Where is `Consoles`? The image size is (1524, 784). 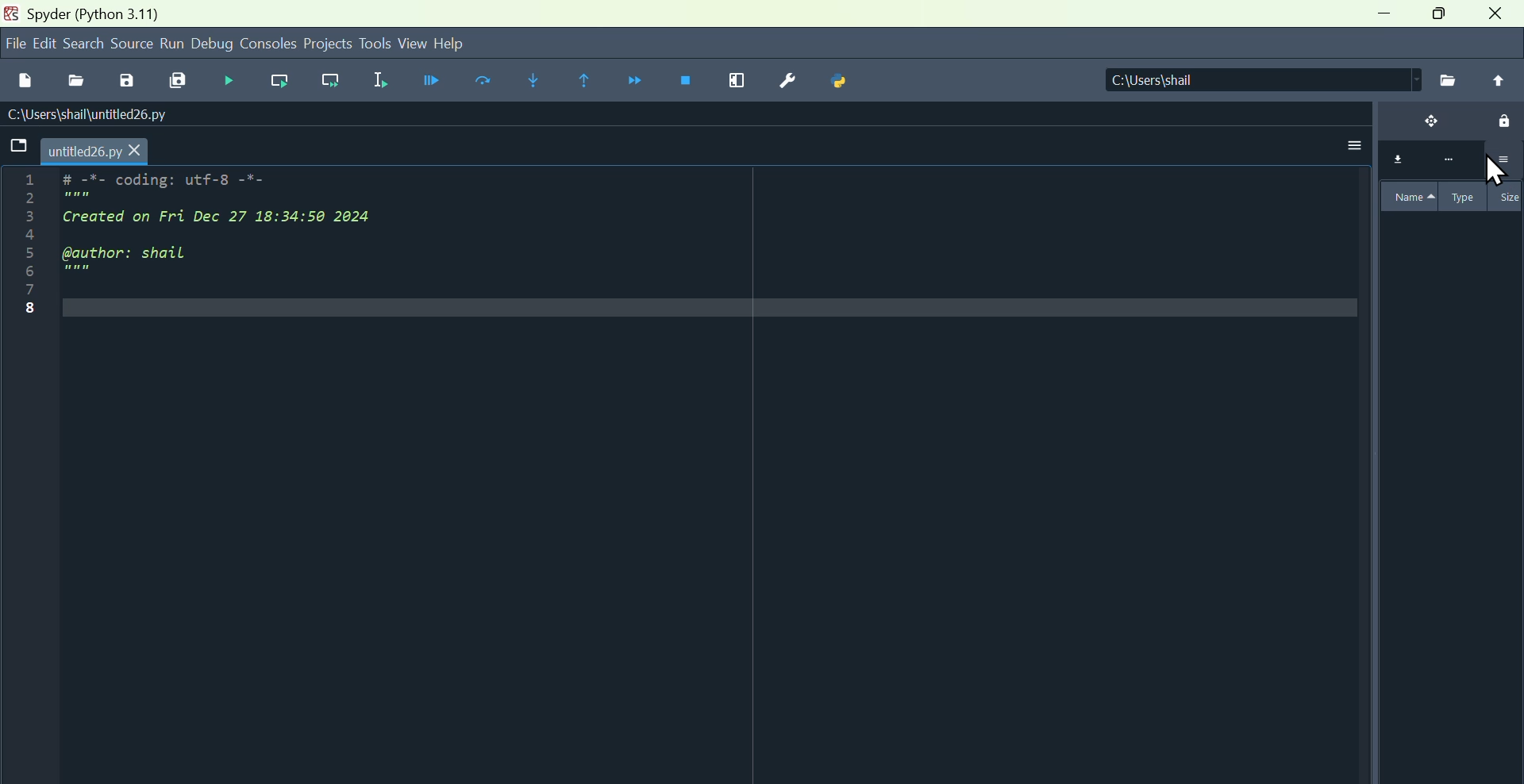
Consoles is located at coordinates (270, 42).